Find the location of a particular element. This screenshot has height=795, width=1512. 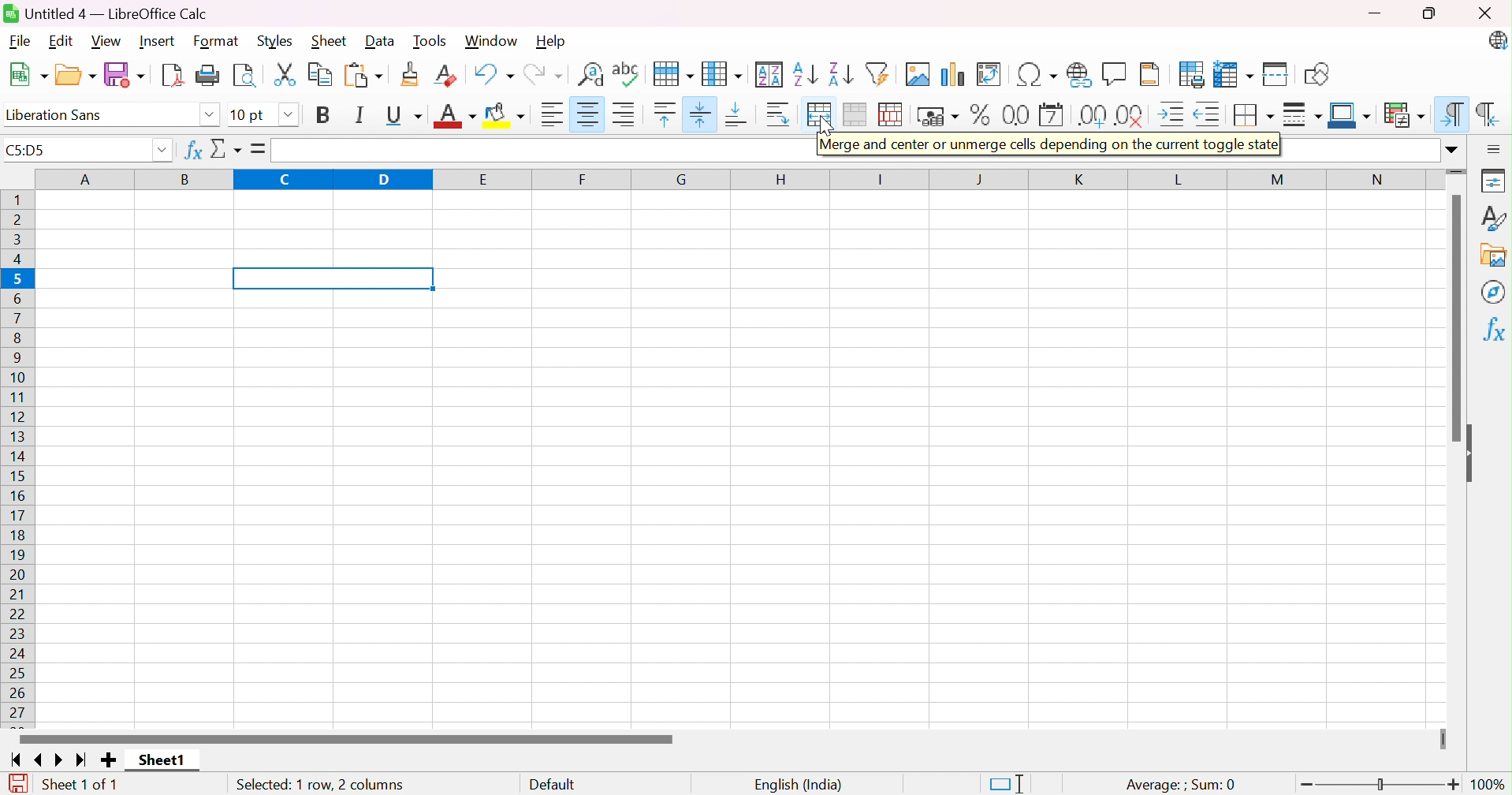

Merge and center or unmerge cells depending on the current toggle status. is located at coordinates (821, 114).